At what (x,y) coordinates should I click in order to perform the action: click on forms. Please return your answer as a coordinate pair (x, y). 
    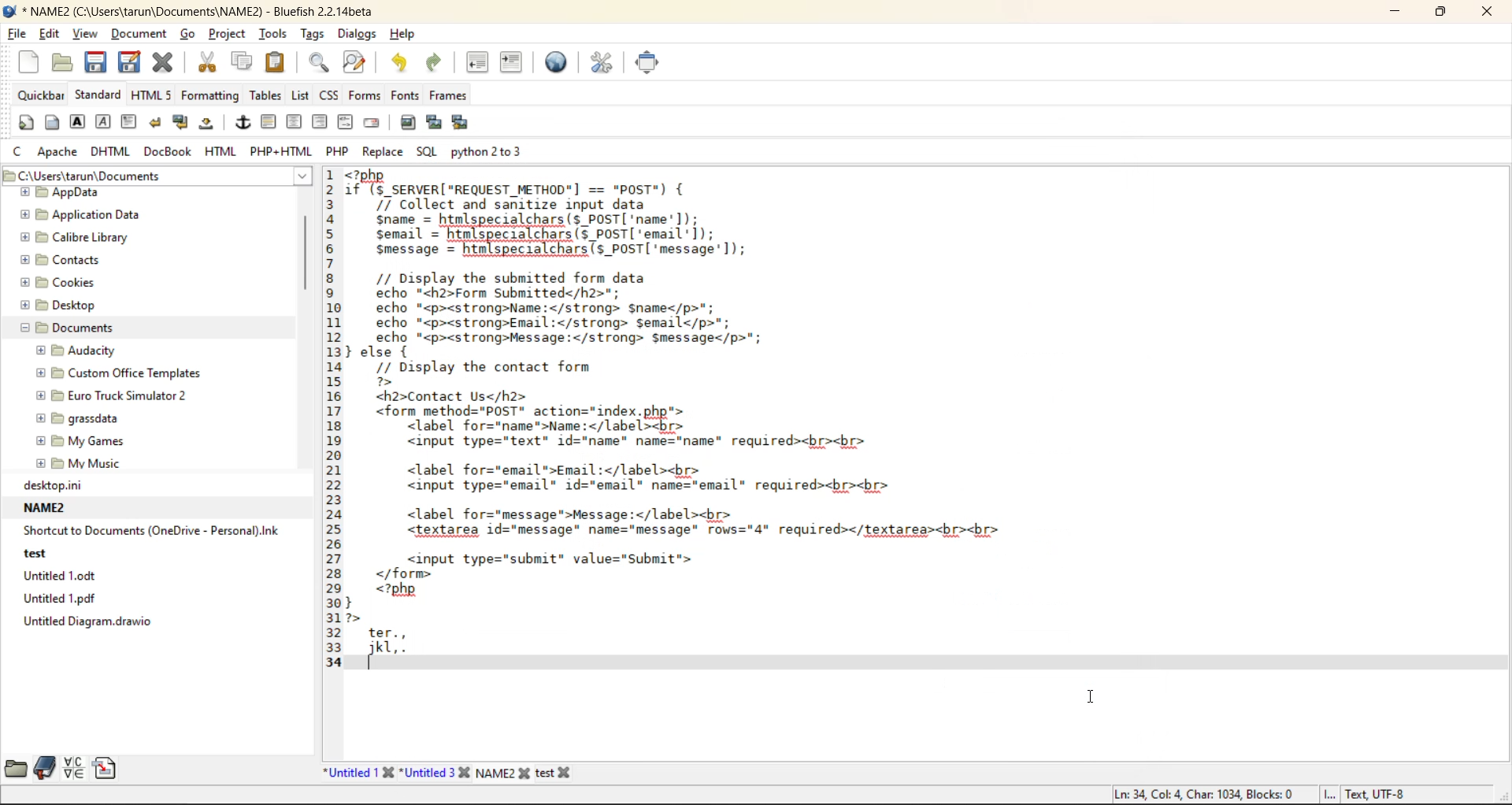
    Looking at the image, I should click on (364, 95).